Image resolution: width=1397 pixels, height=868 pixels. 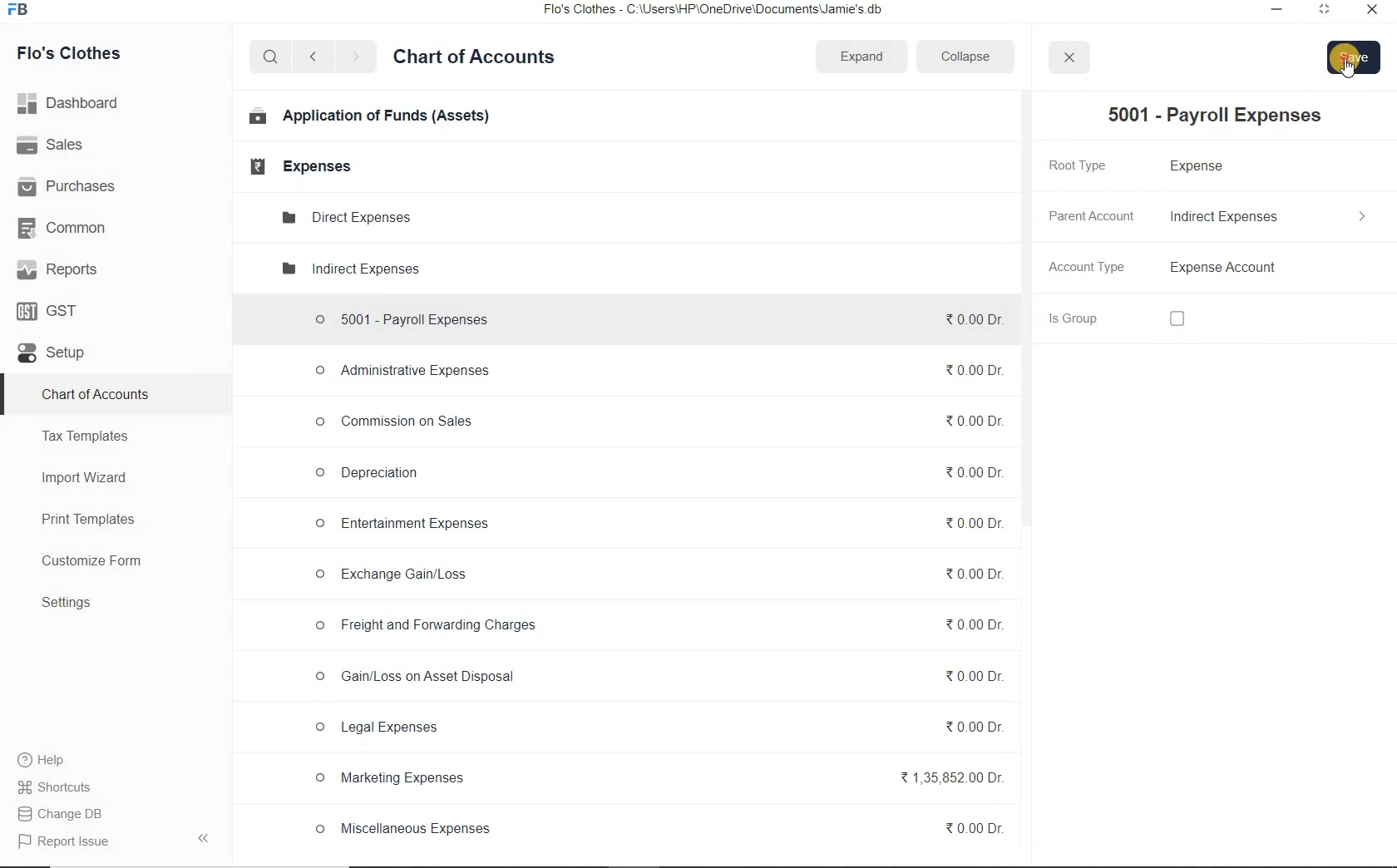 I want to click on Expense, so click(x=1204, y=167).